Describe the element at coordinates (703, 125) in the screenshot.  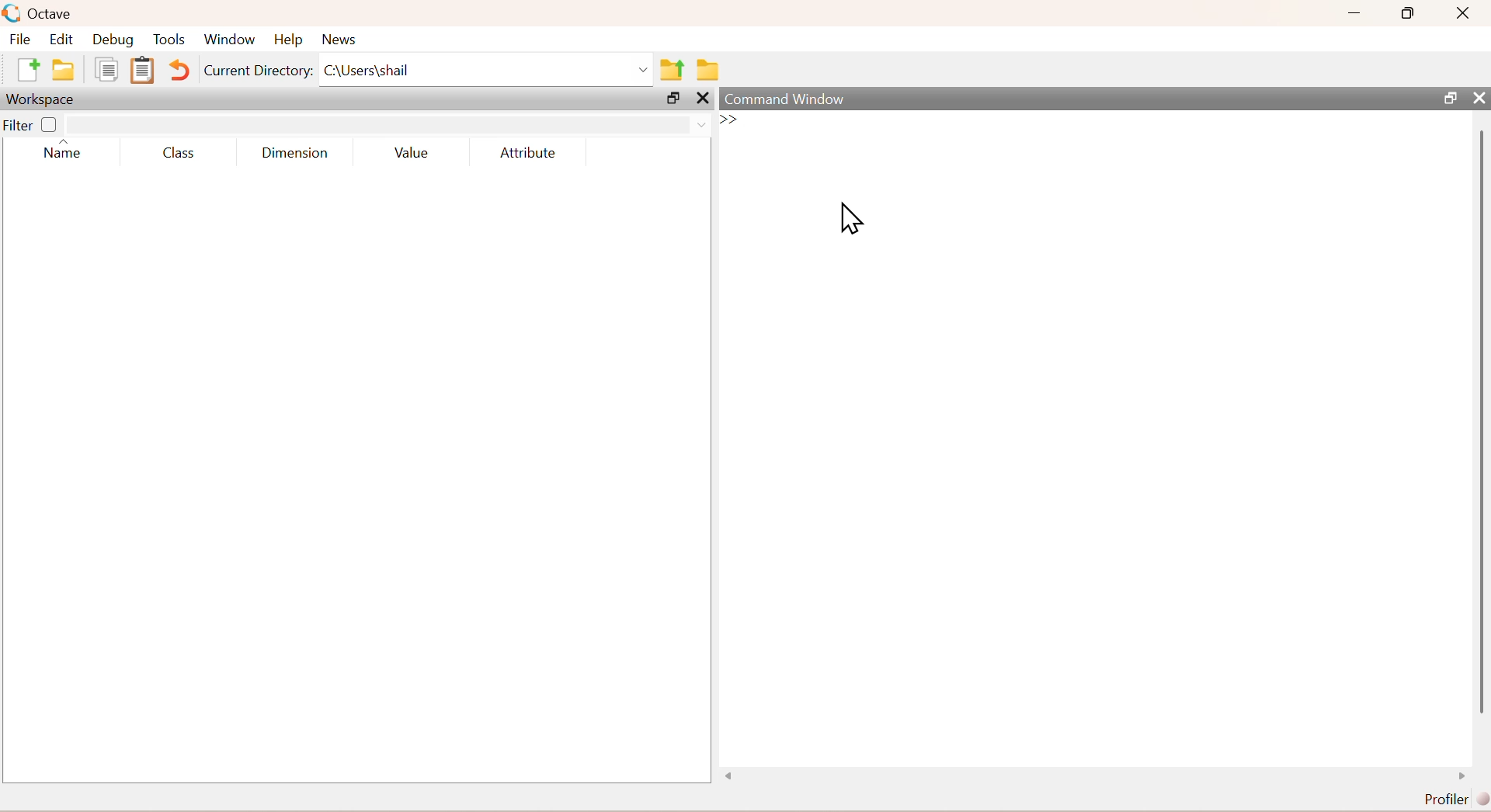
I see `Drop-down ` at that location.